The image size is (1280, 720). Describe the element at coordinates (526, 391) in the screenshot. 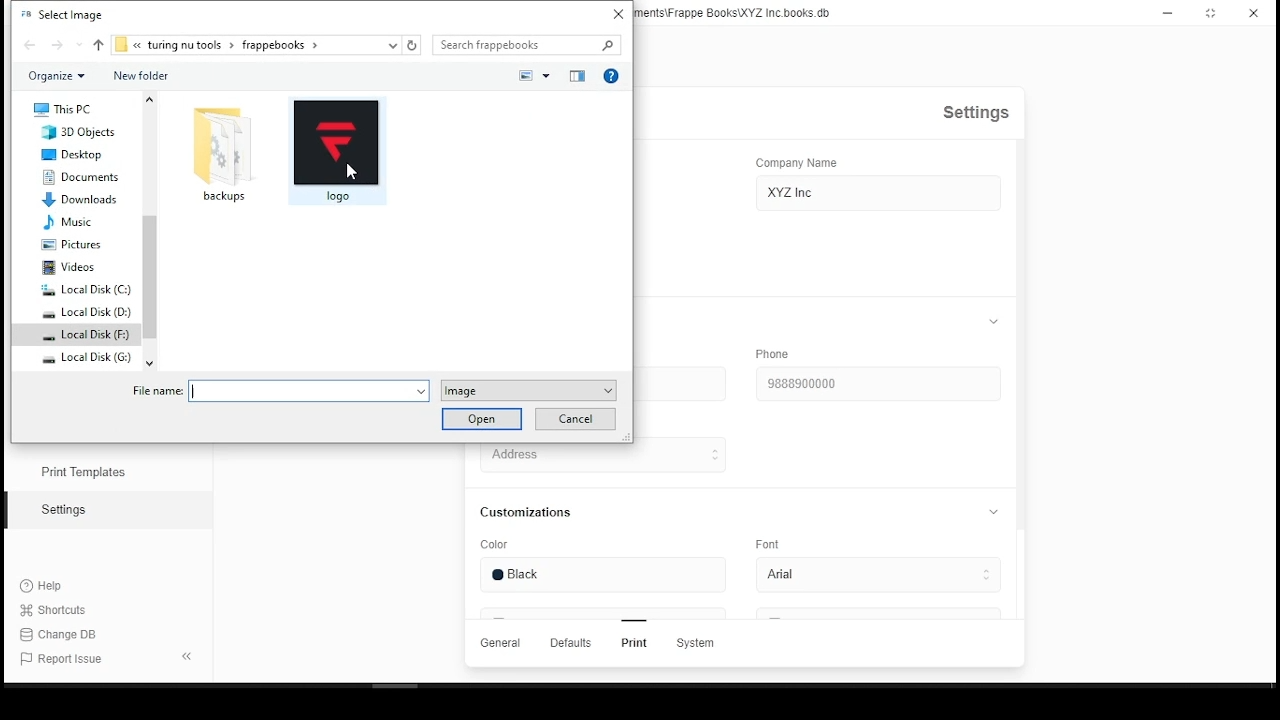

I see `image` at that location.